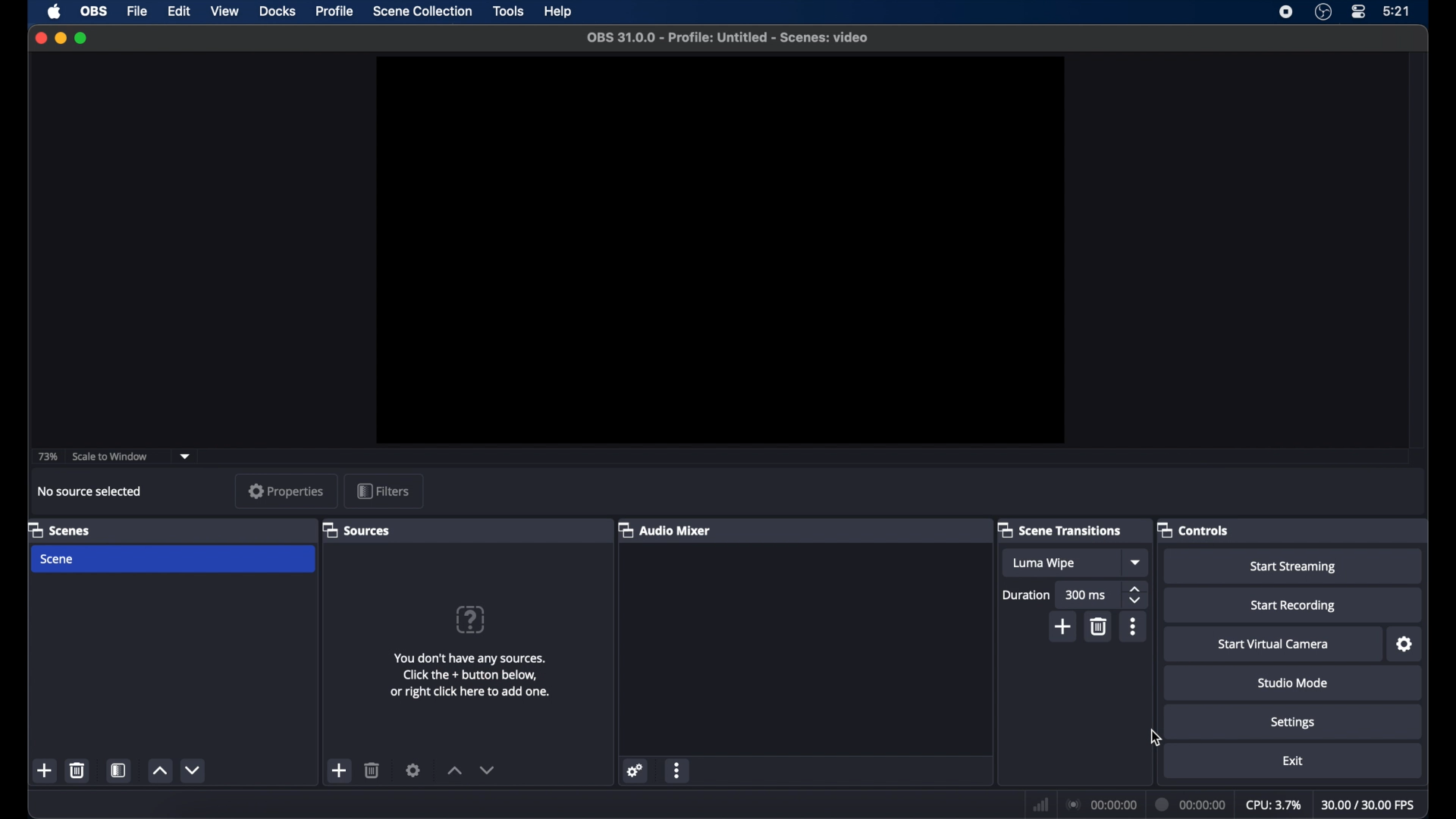 The height and width of the screenshot is (819, 1456). Describe the element at coordinates (472, 676) in the screenshot. I see `you don't have any sources. Click the + button below, or right click here to add one,.` at that location.